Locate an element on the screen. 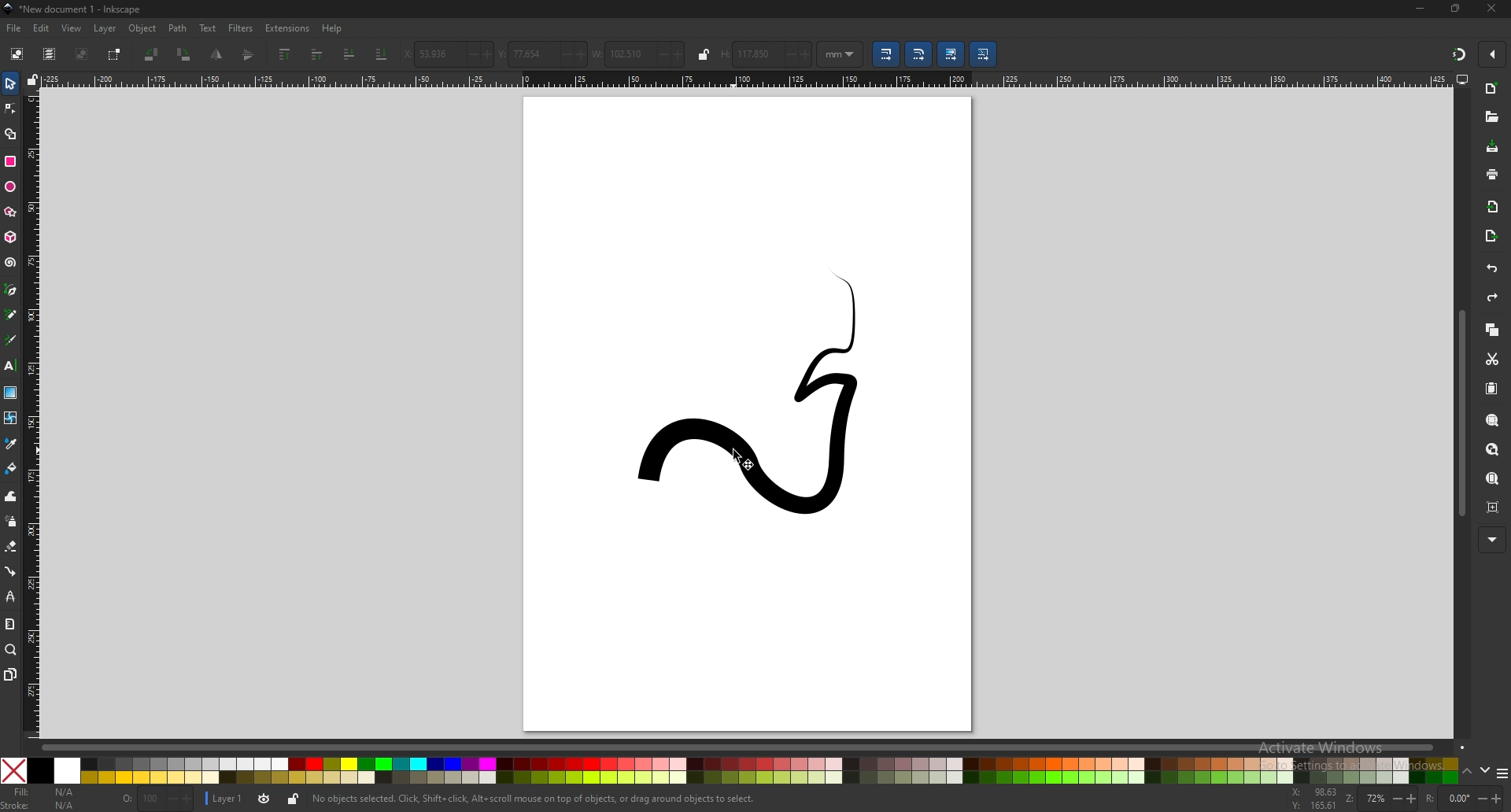  raise selection one step is located at coordinates (316, 55).